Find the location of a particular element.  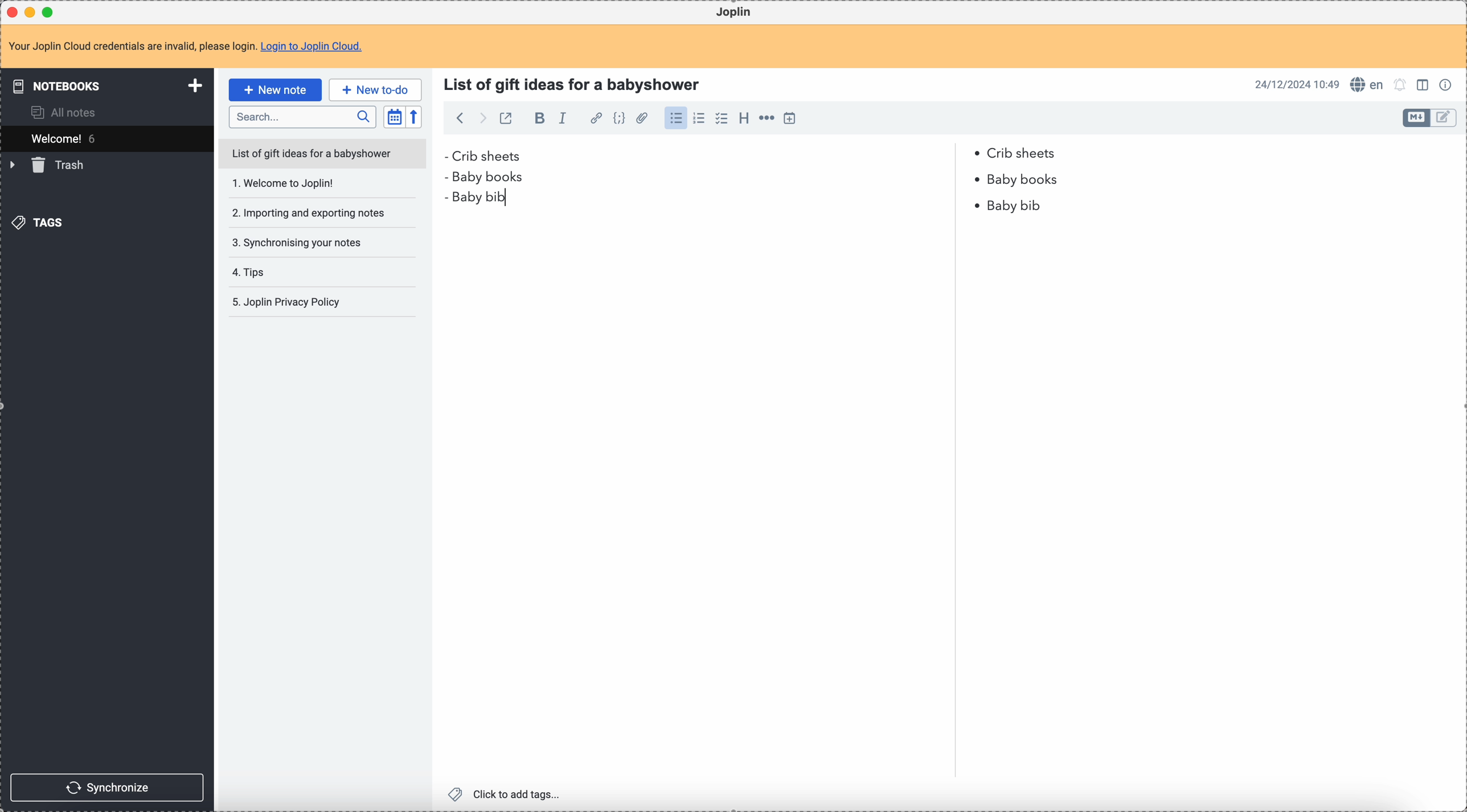

importing and exporting notes is located at coordinates (308, 212).